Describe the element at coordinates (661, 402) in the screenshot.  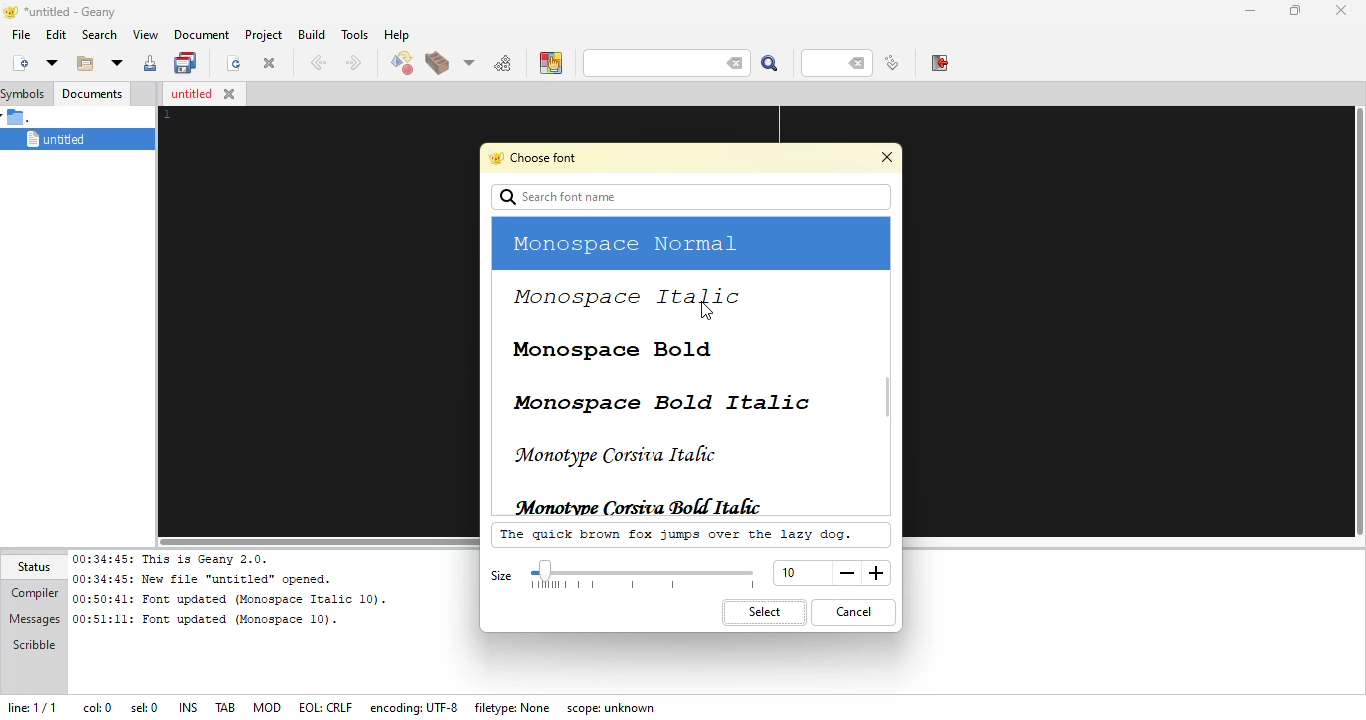
I see `monospace bold italic` at that location.